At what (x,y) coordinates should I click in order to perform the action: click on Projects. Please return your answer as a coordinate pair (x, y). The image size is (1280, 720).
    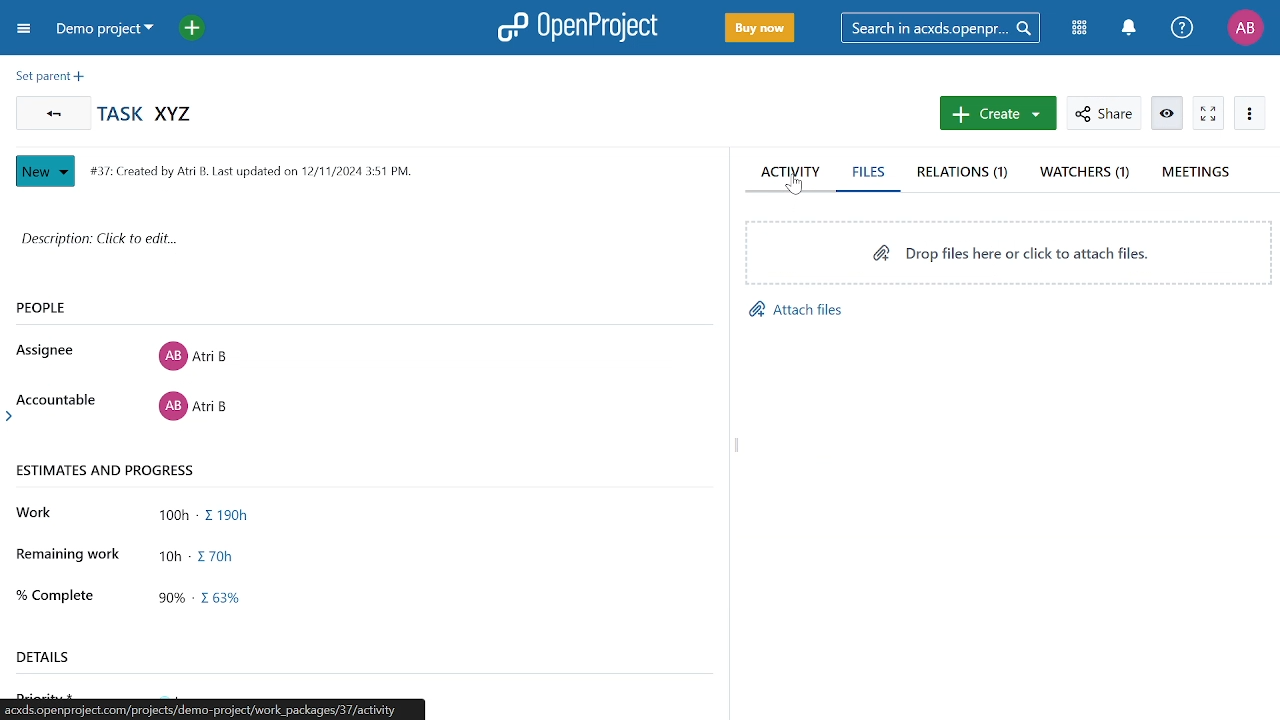
    Looking at the image, I should click on (106, 31).